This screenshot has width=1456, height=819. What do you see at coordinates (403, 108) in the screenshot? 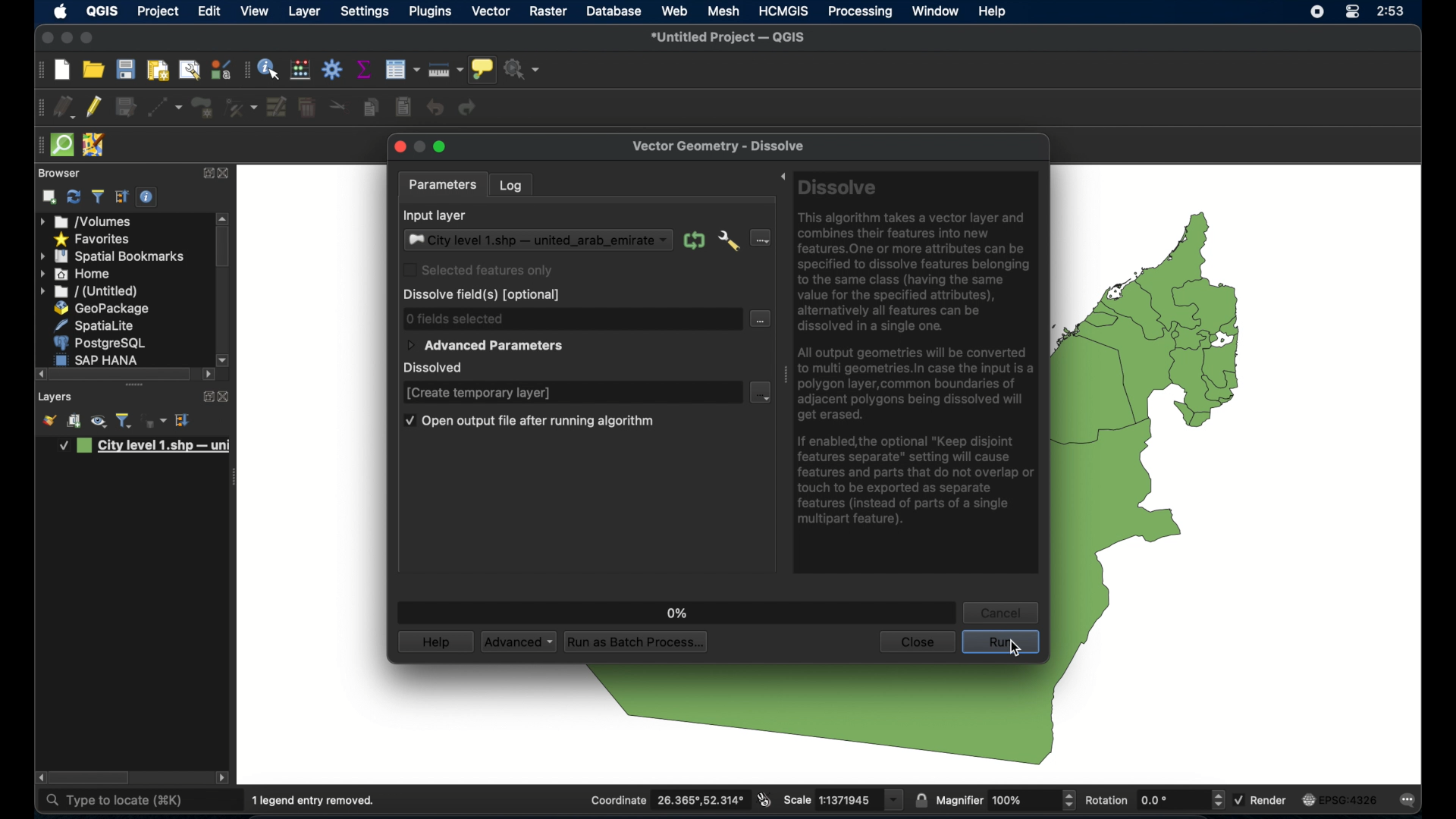
I see `paste features` at bounding box center [403, 108].